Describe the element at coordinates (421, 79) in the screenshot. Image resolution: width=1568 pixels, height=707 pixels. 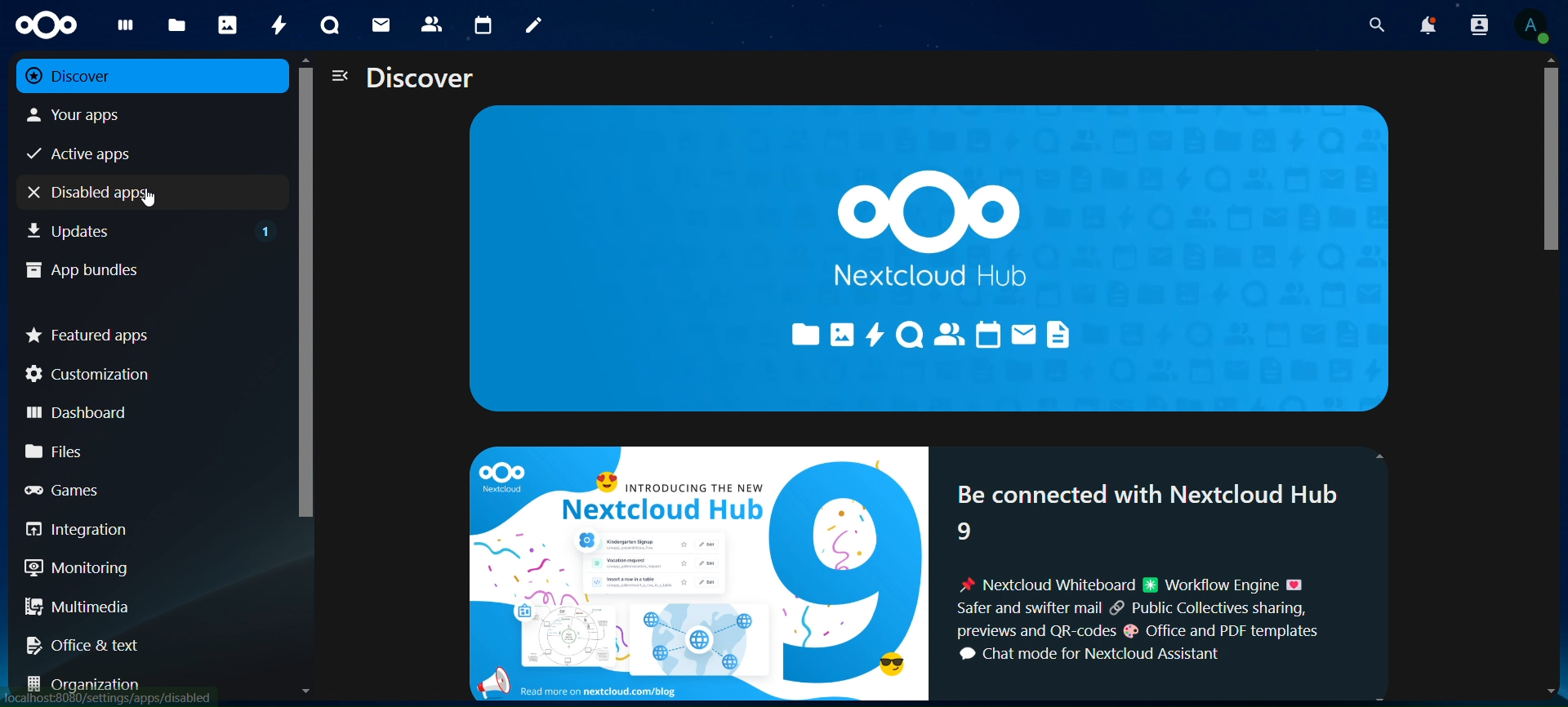
I see `discover` at that location.